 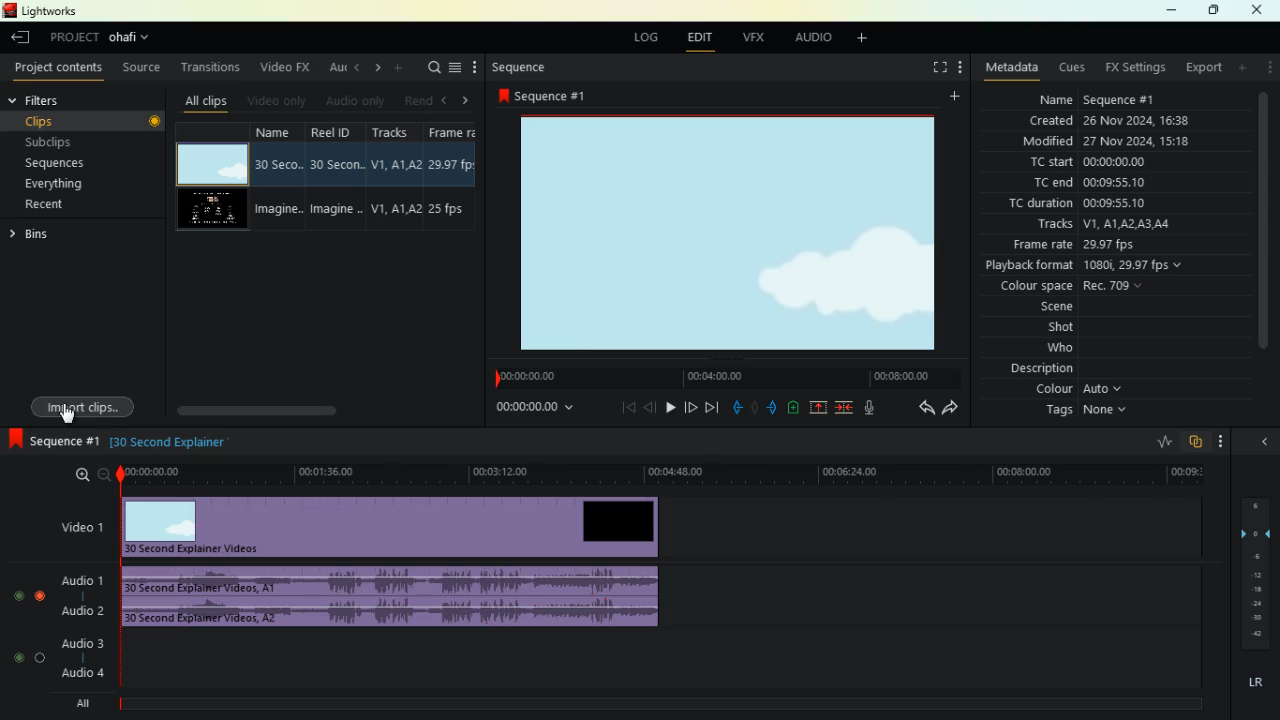 I want to click on overlap, so click(x=1194, y=442).